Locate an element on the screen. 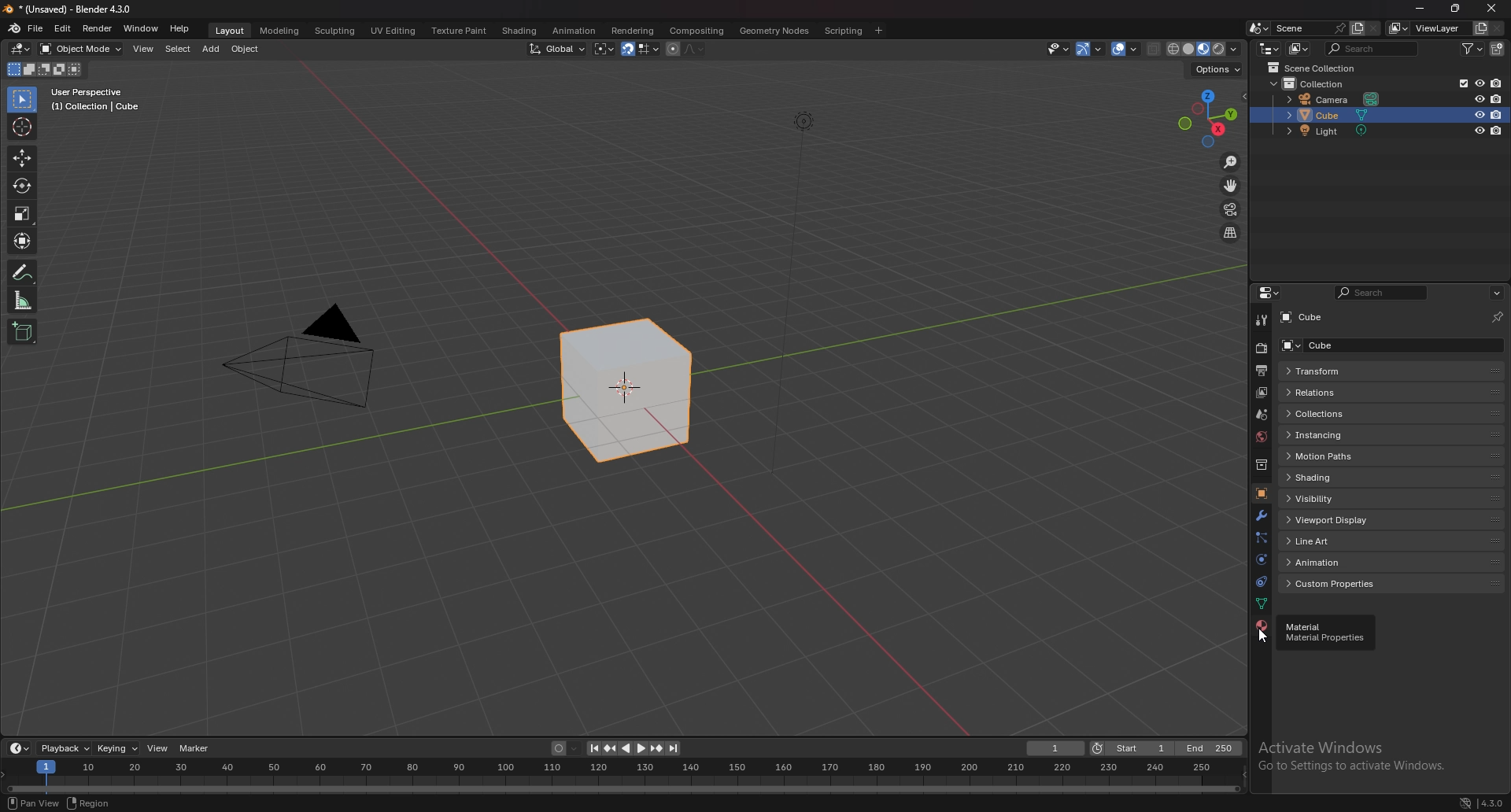 The height and width of the screenshot is (812, 1511). filter is located at coordinates (1476, 48).